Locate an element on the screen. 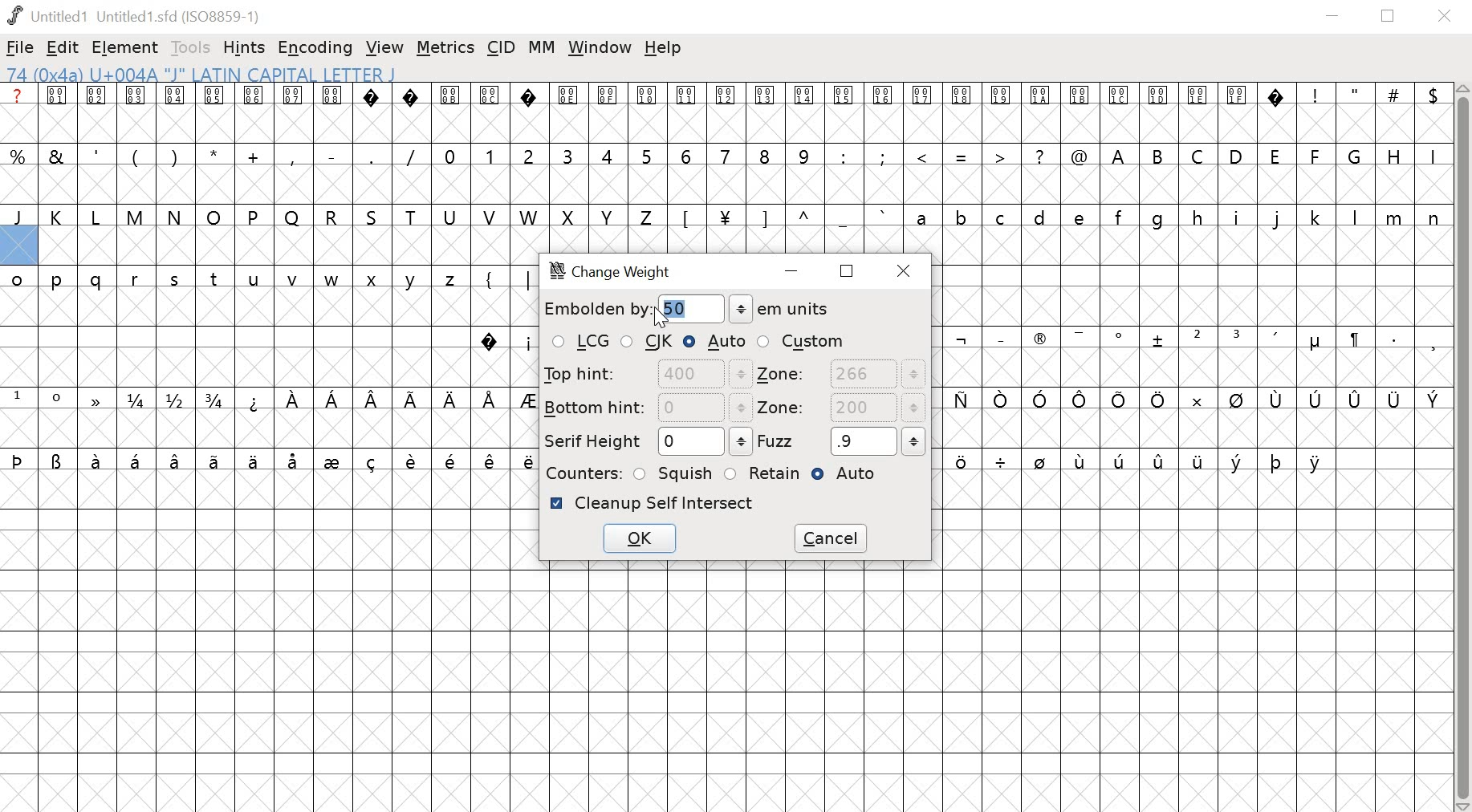 Image resolution: width=1472 pixels, height=812 pixels. special characters is located at coordinates (1368, 95).